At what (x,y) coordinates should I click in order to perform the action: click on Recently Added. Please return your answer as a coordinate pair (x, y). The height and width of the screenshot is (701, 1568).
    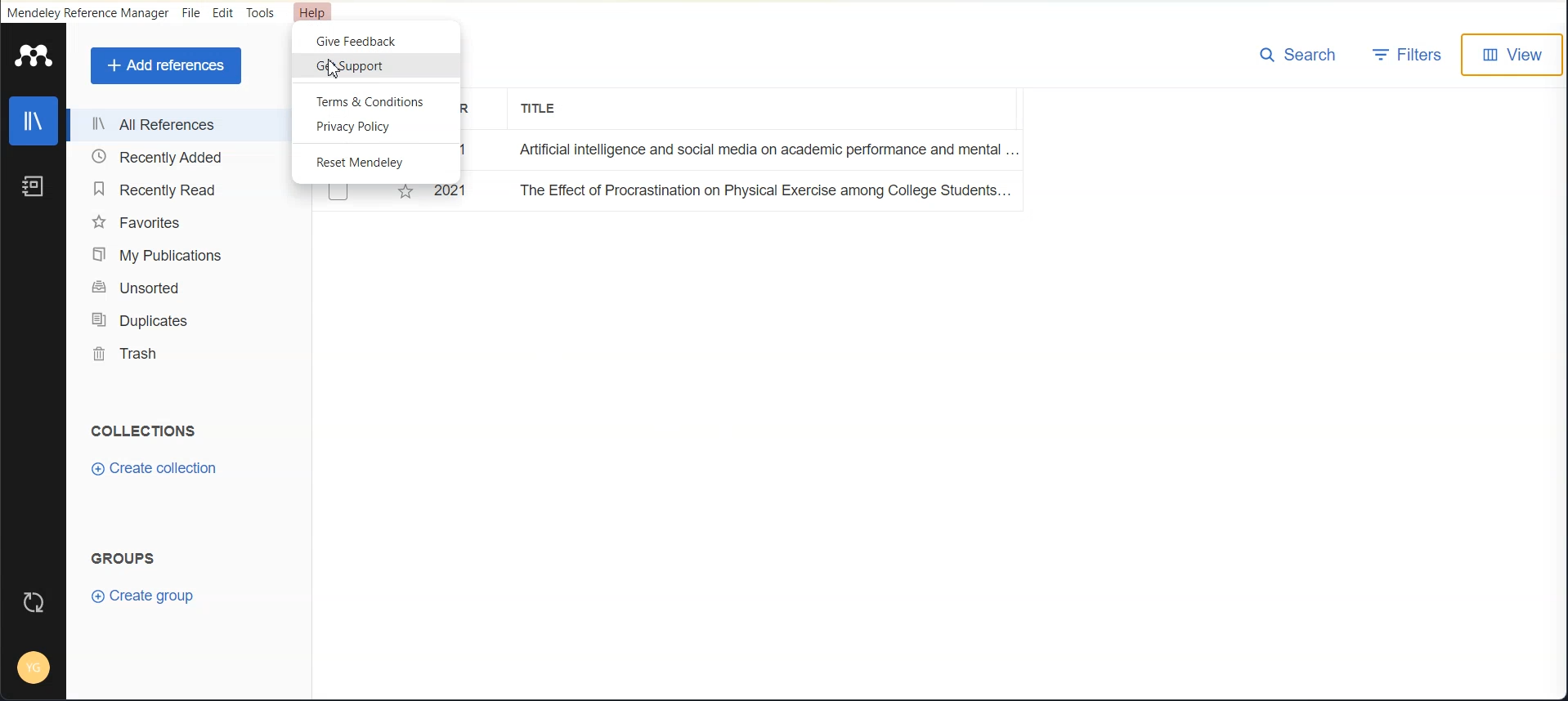
    Looking at the image, I should click on (182, 158).